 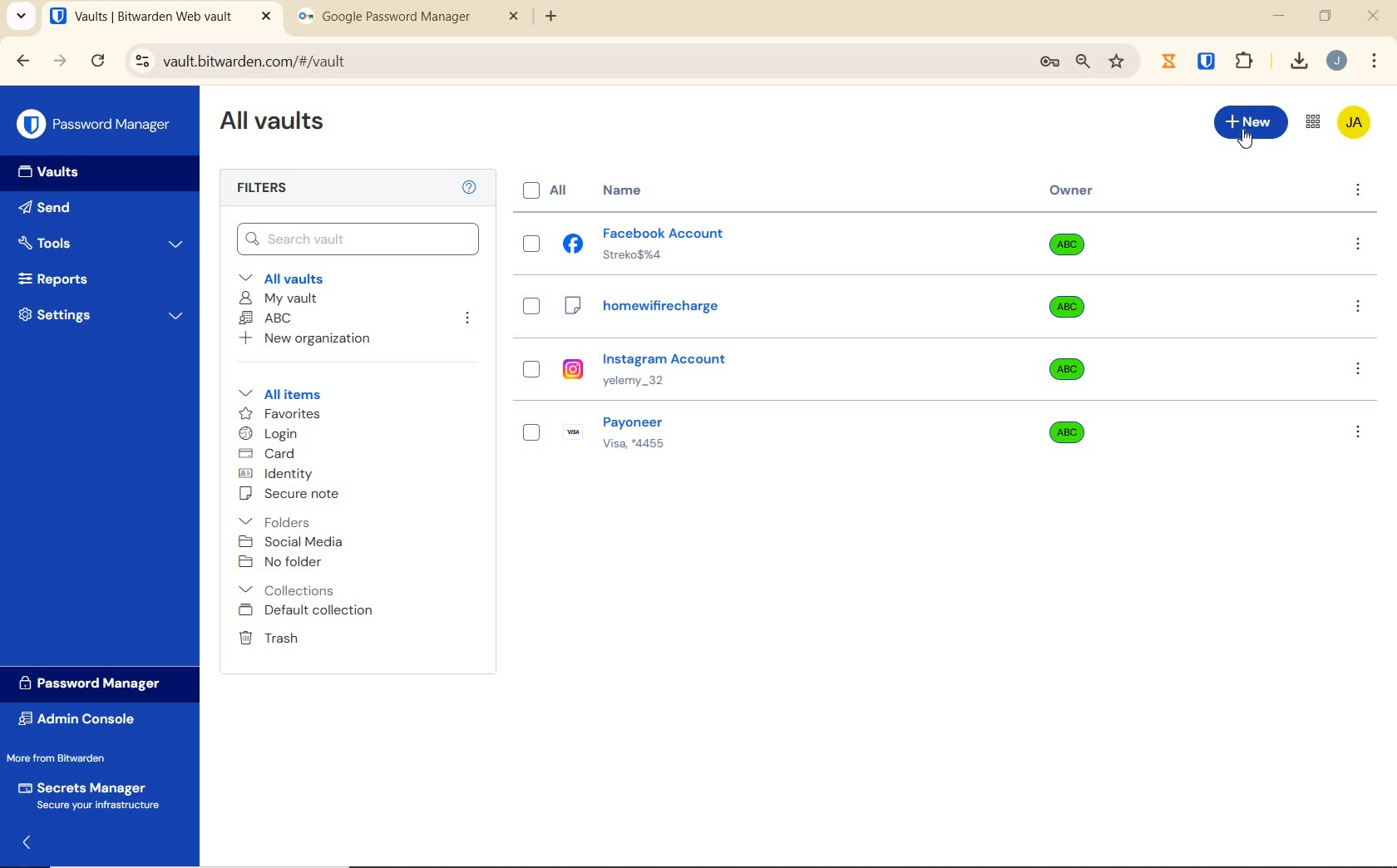 I want to click on Password Manager, so click(x=96, y=126).